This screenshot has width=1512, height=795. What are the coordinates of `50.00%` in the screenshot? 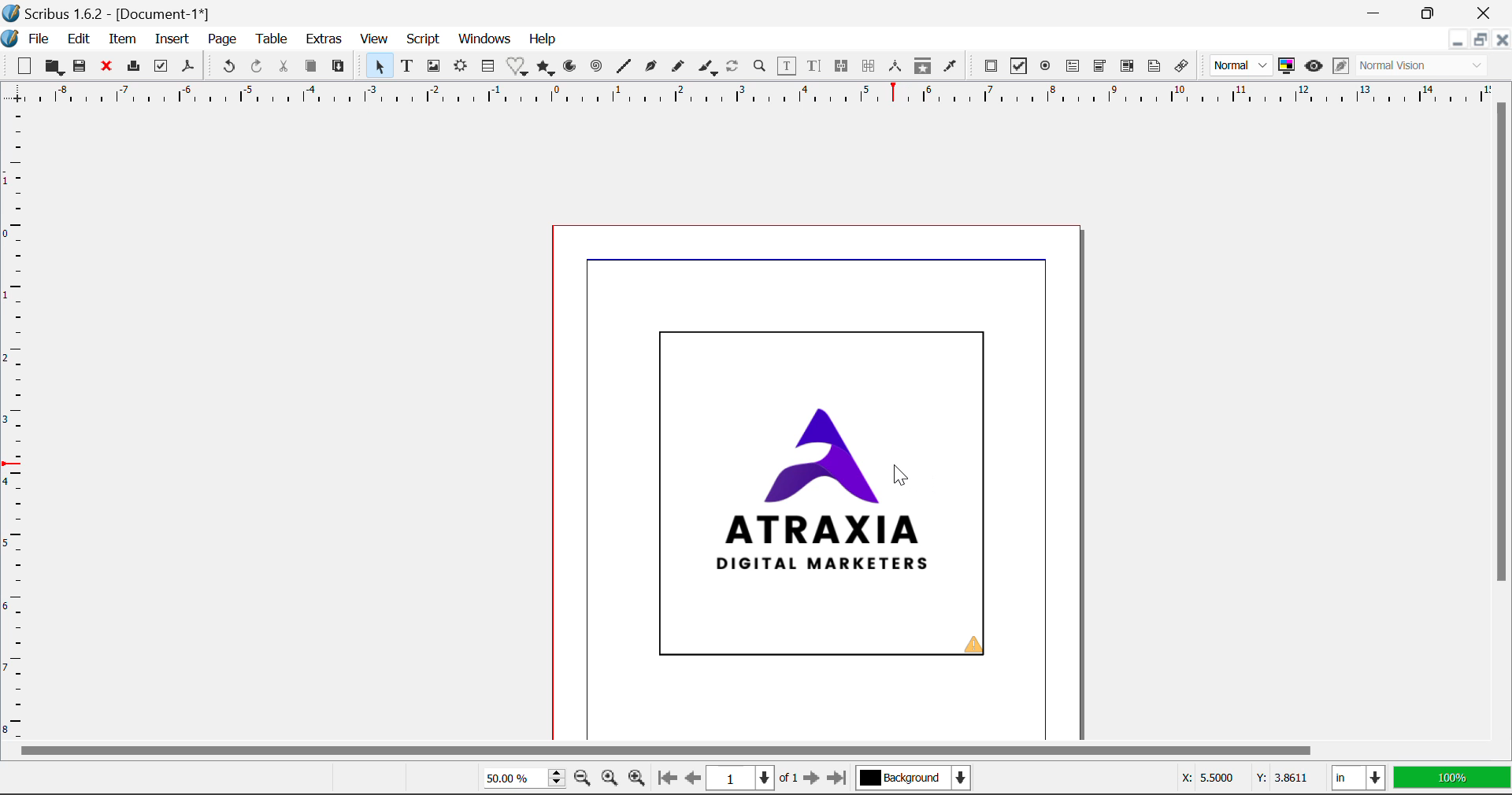 It's located at (521, 777).